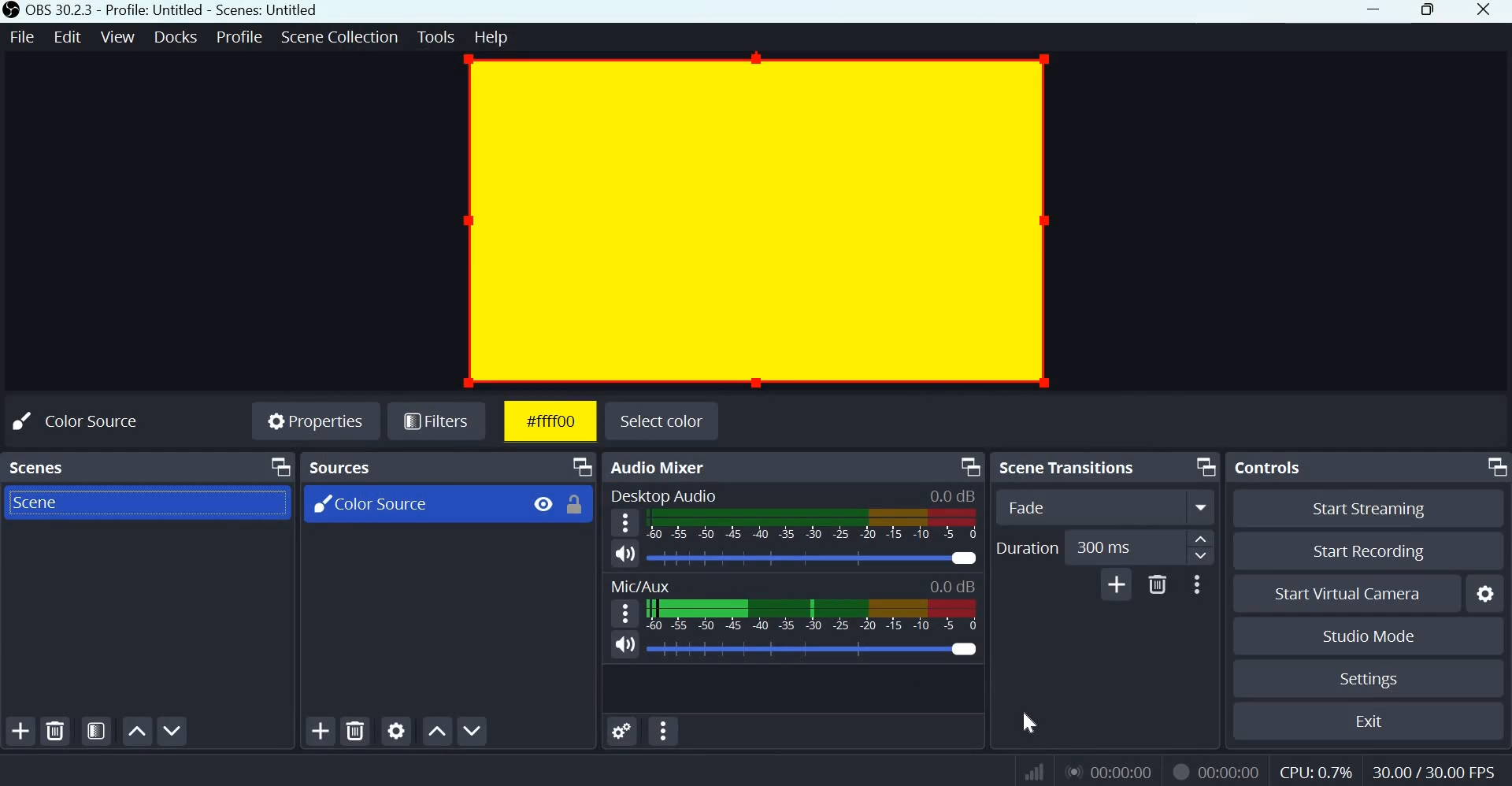 The width and height of the screenshot is (1512, 786). Describe the element at coordinates (574, 505) in the screenshot. I see `lock` at that location.